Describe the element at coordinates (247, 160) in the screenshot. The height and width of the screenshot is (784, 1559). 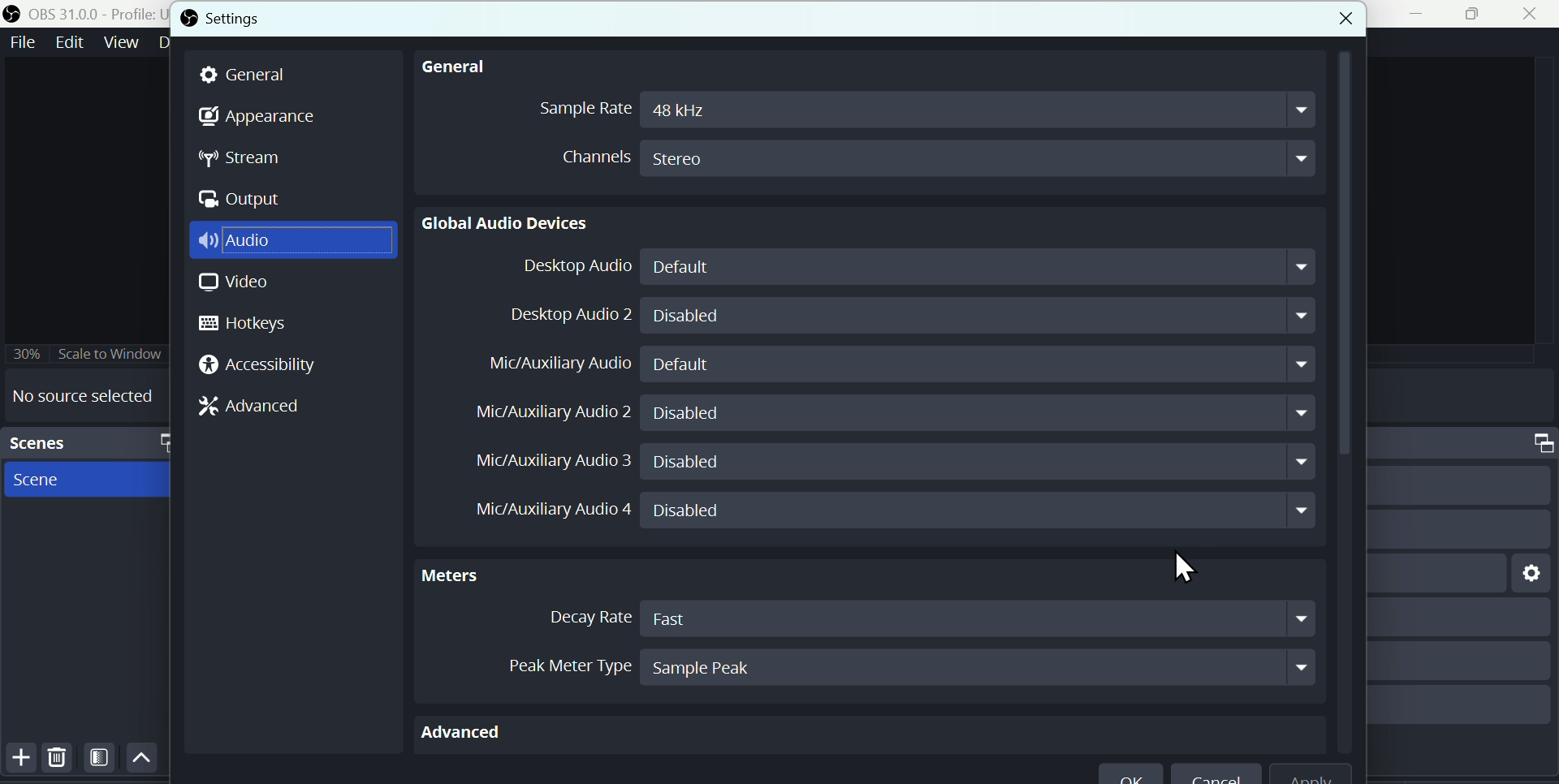
I see `stream` at that location.